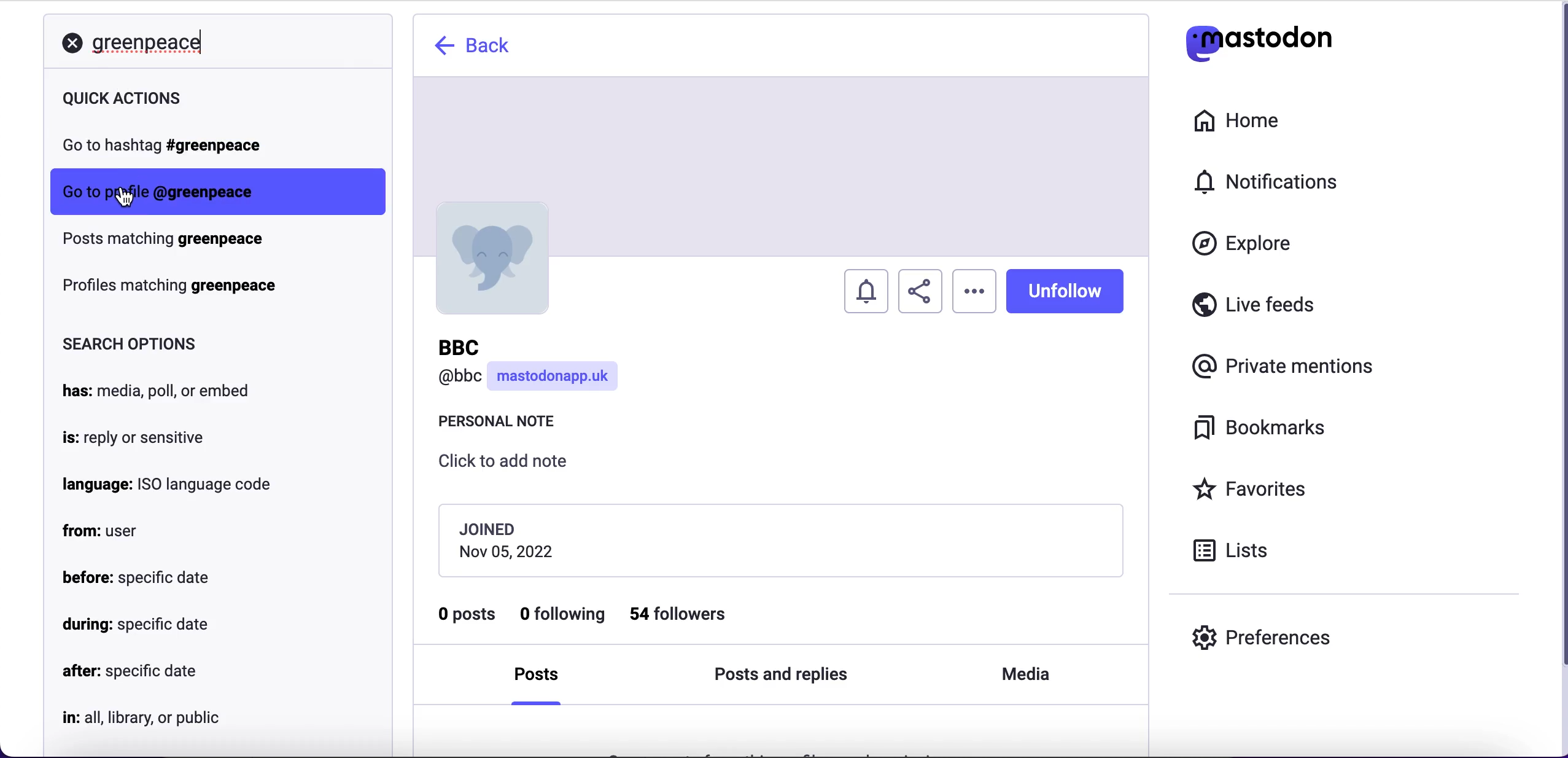  Describe the element at coordinates (1559, 378) in the screenshot. I see `scroll bar` at that location.